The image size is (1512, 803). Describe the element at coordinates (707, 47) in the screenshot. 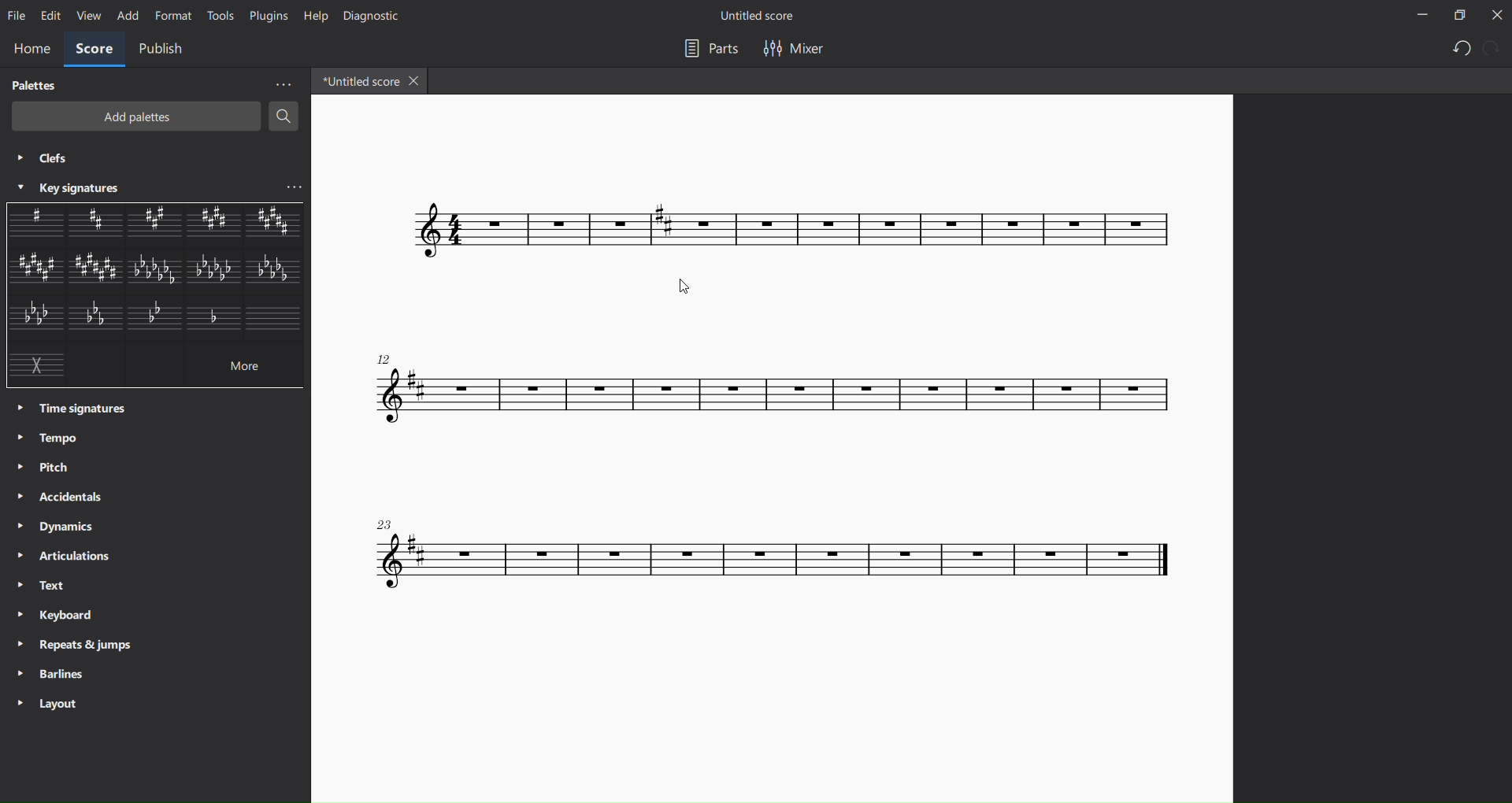

I see `parts` at that location.